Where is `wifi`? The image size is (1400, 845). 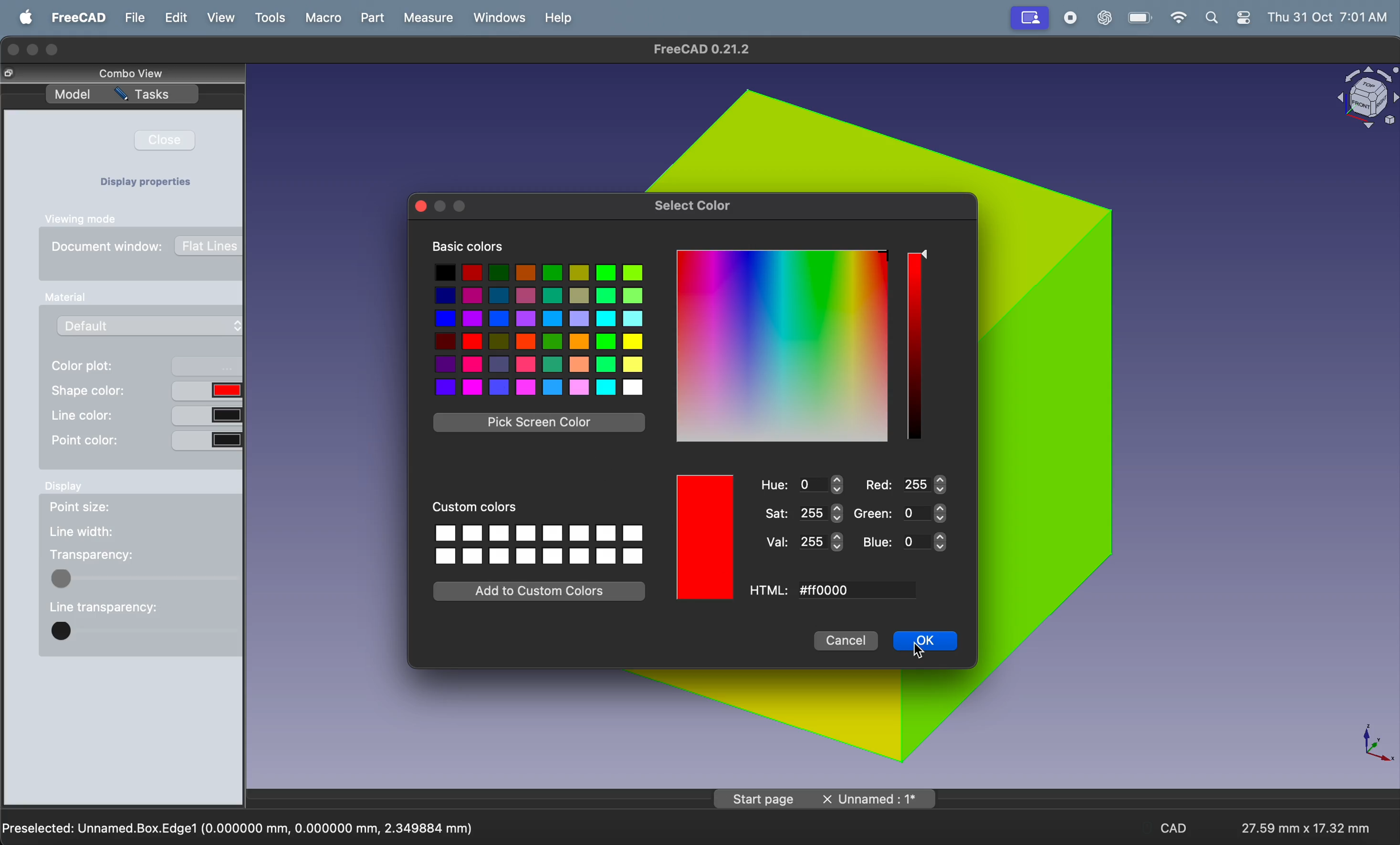
wifi is located at coordinates (1174, 18).